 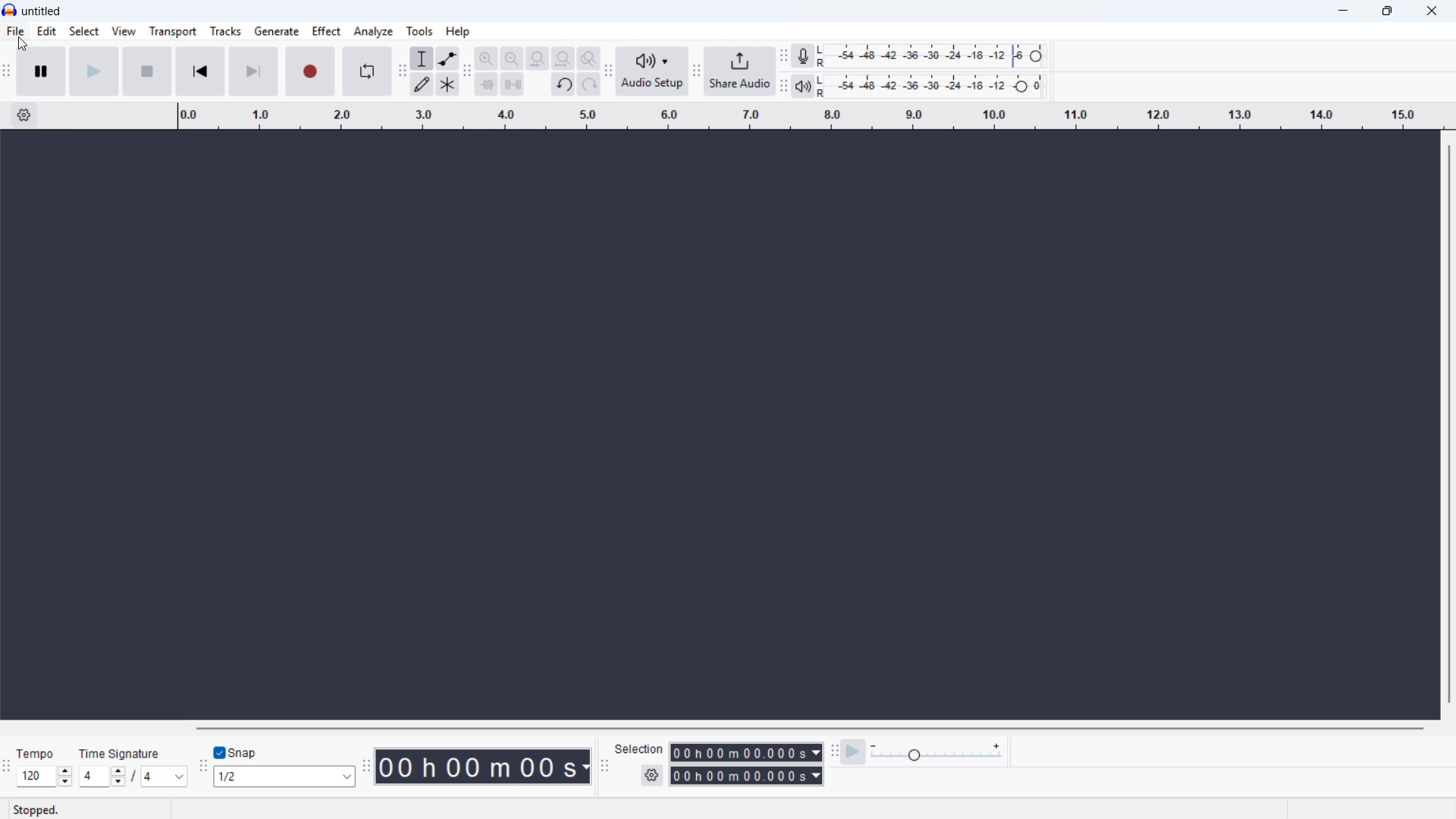 What do you see at coordinates (810, 115) in the screenshot?
I see `Timeline ` at bounding box center [810, 115].